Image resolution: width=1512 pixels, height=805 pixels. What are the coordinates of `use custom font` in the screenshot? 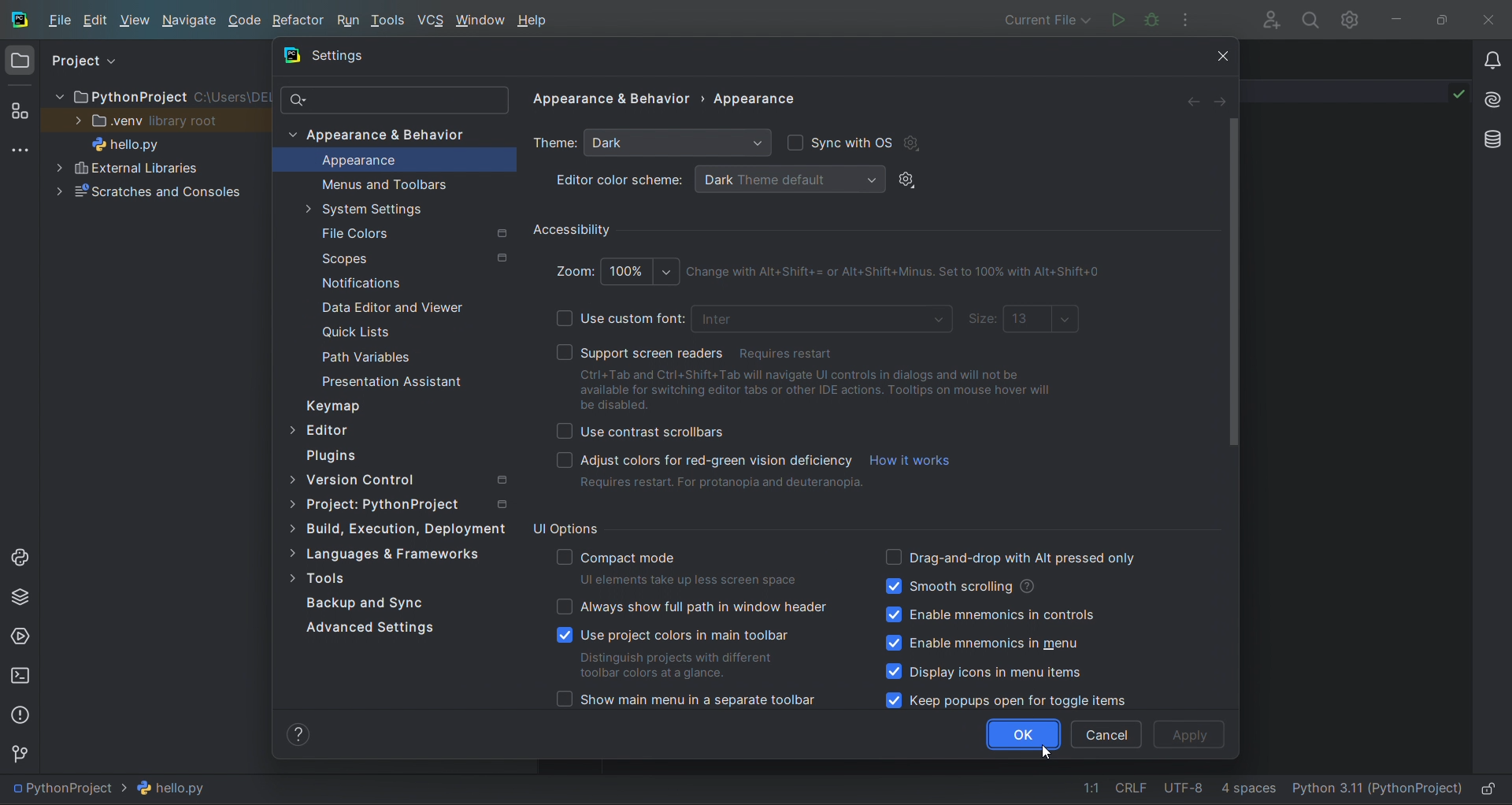 It's located at (632, 316).